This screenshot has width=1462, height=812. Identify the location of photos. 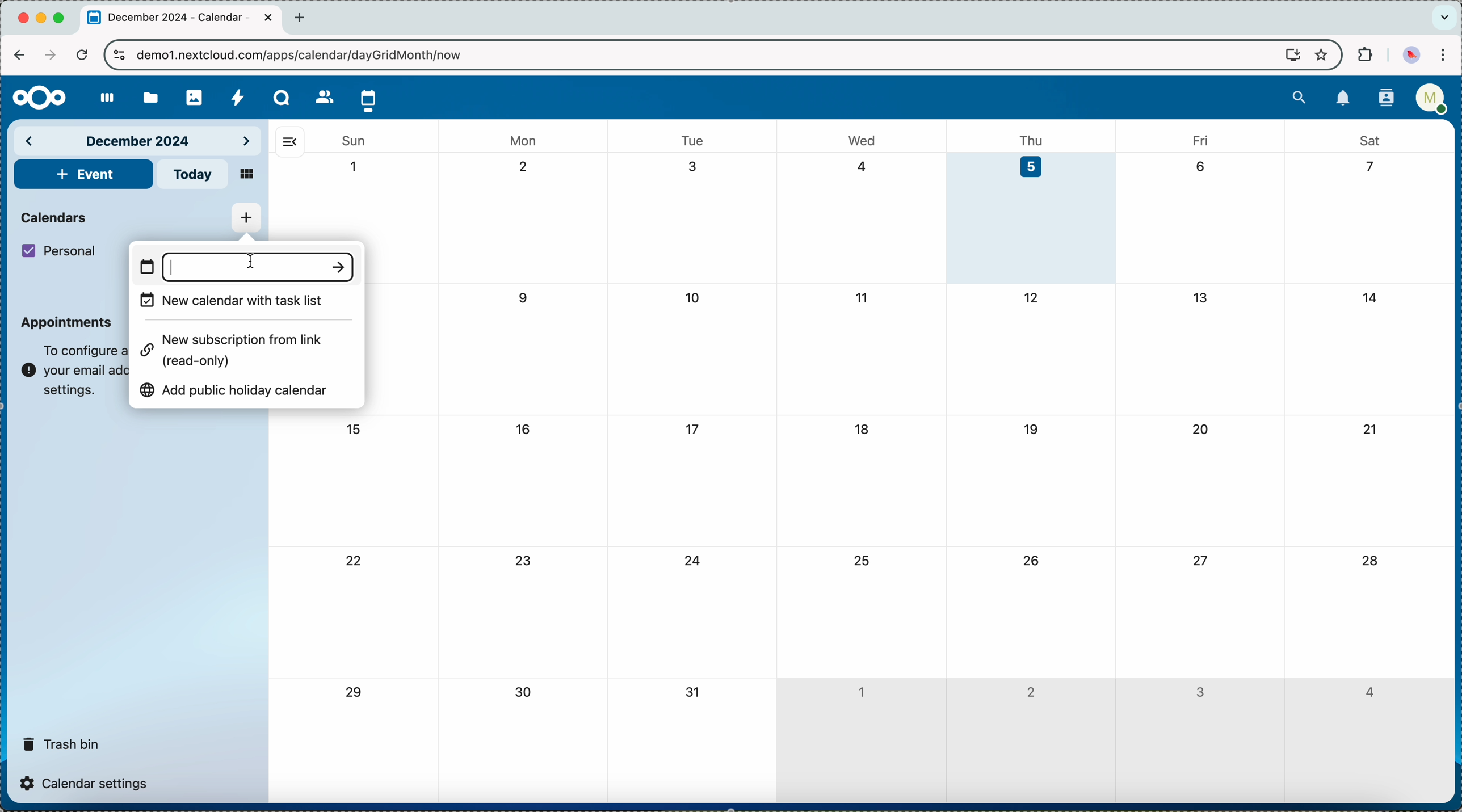
(194, 94).